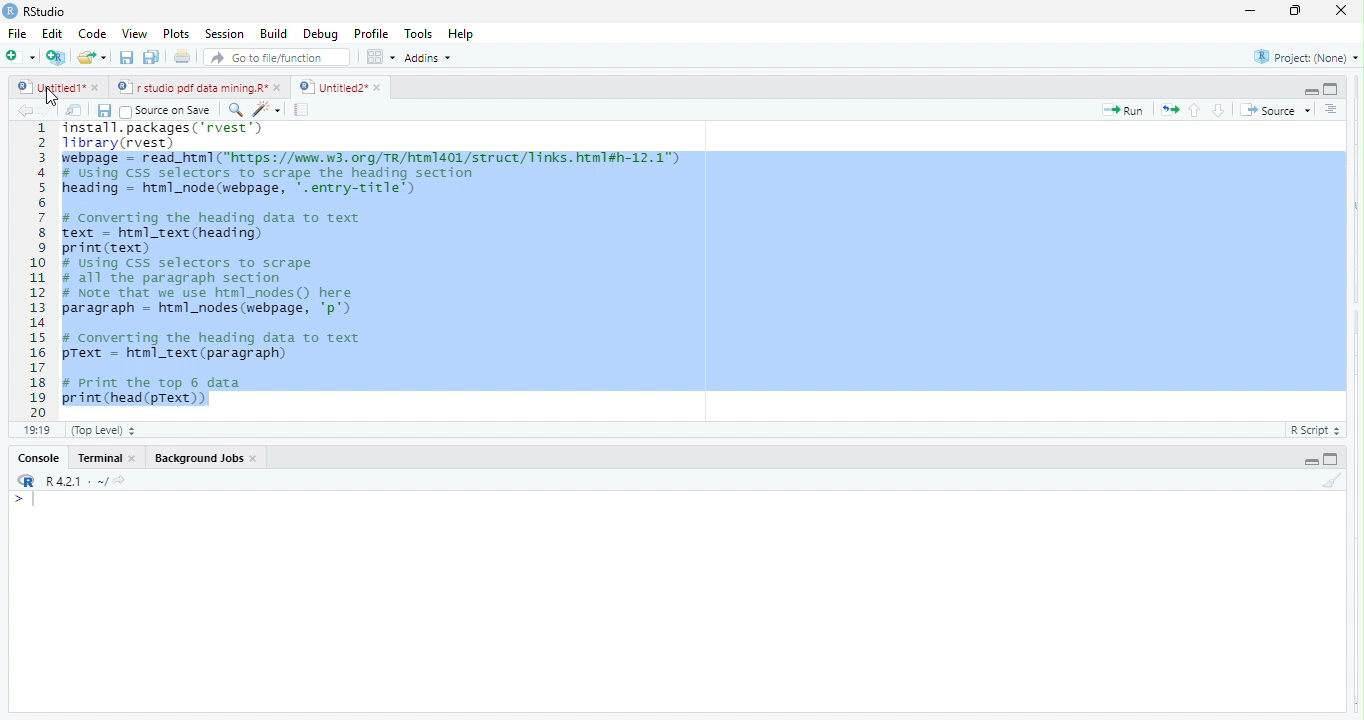 Image resolution: width=1364 pixels, height=720 pixels. Describe the element at coordinates (1124, 111) in the screenshot. I see `run` at that location.